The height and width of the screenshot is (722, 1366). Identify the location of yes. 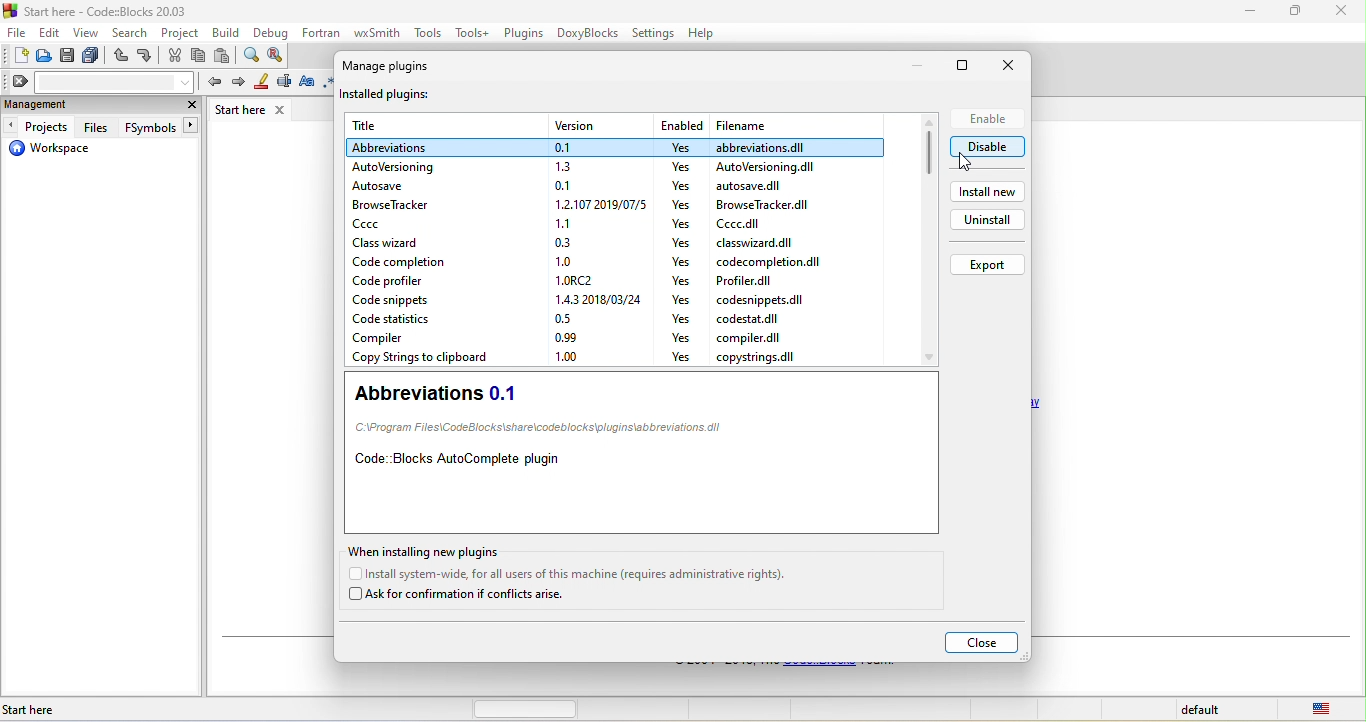
(686, 242).